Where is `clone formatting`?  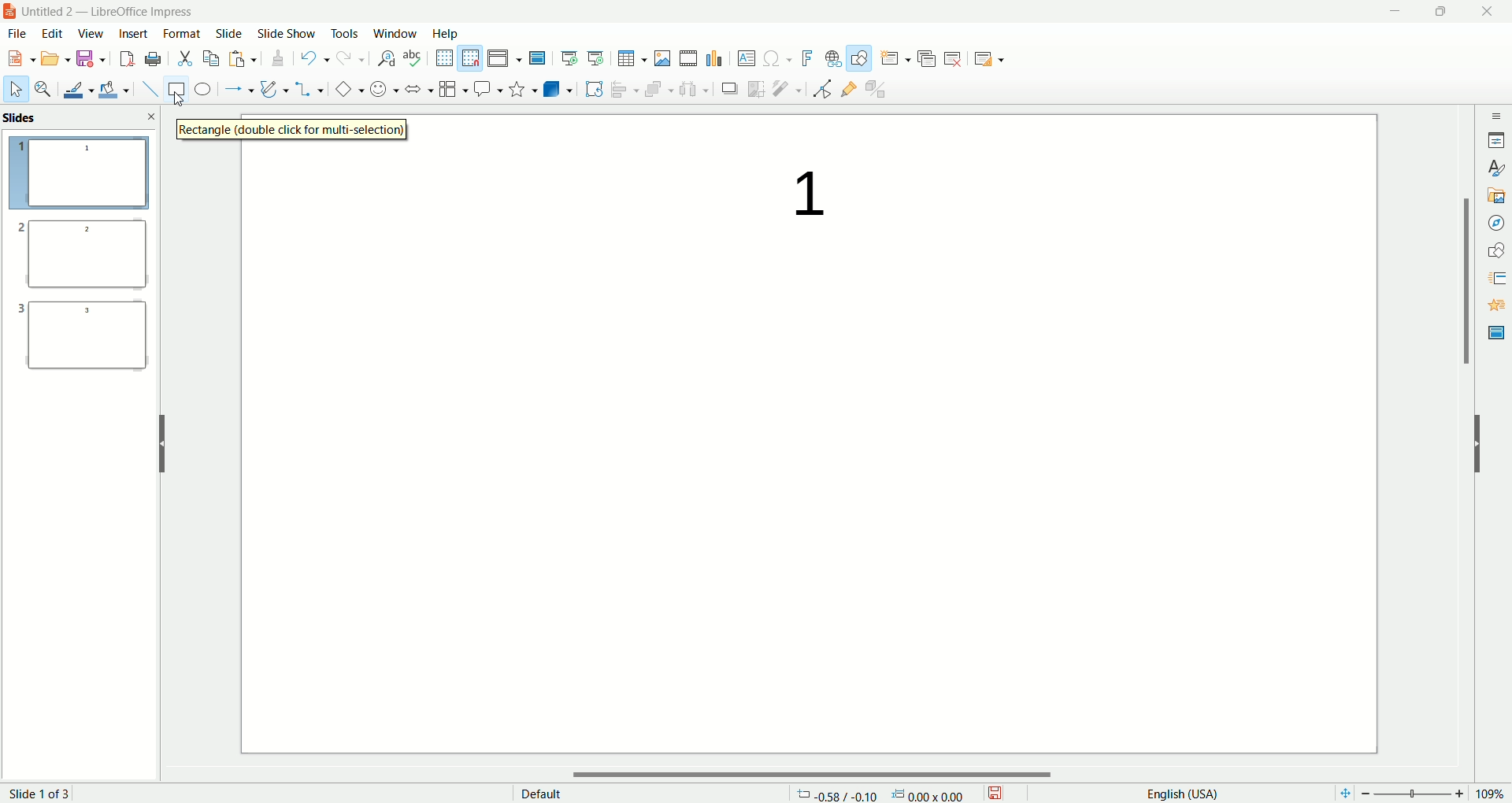
clone formatting is located at coordinates (276, 59).